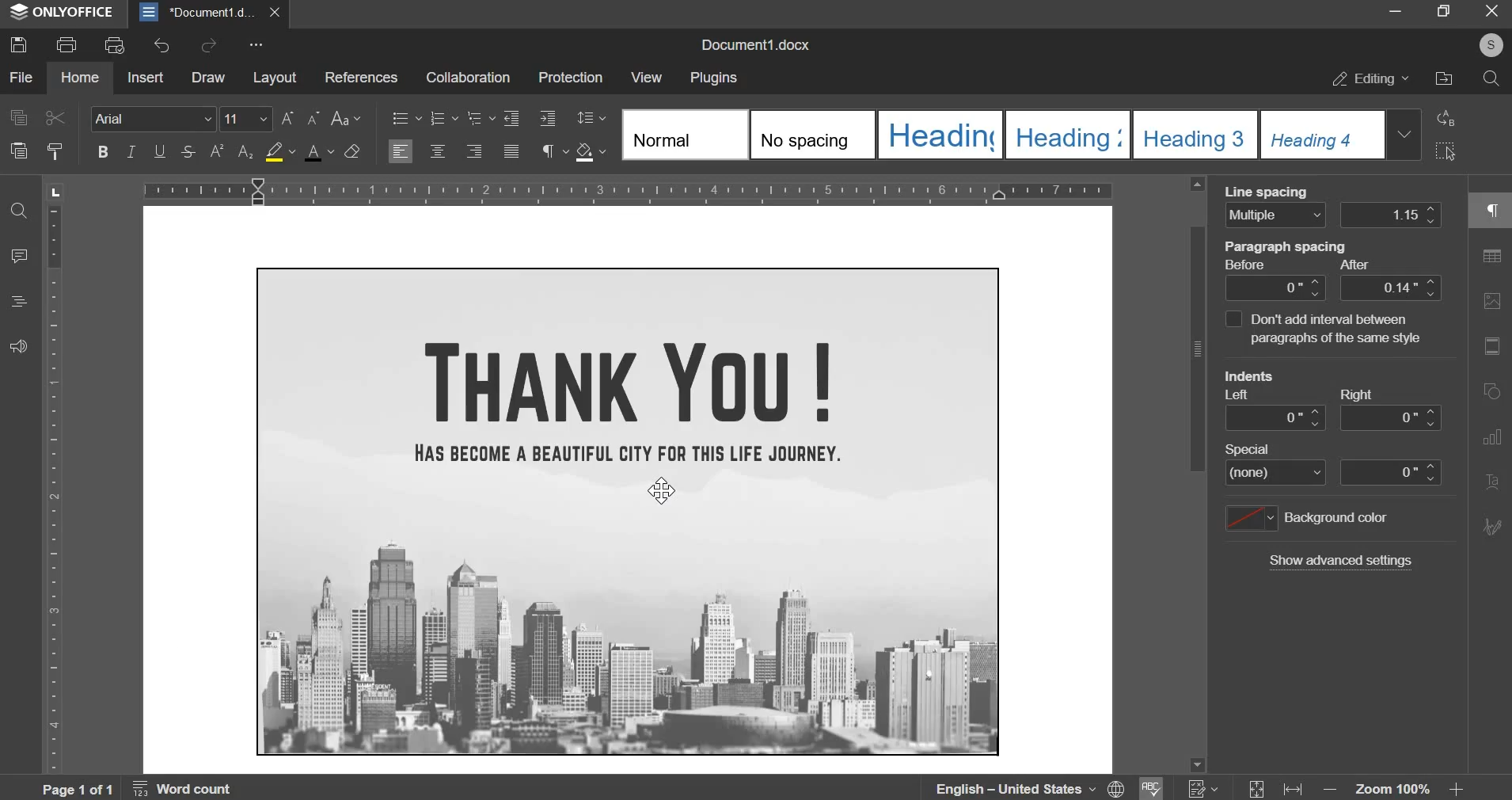 The height and width of the screenshot is (800, 1512). I want to click on minimize, so click(1397, 12).